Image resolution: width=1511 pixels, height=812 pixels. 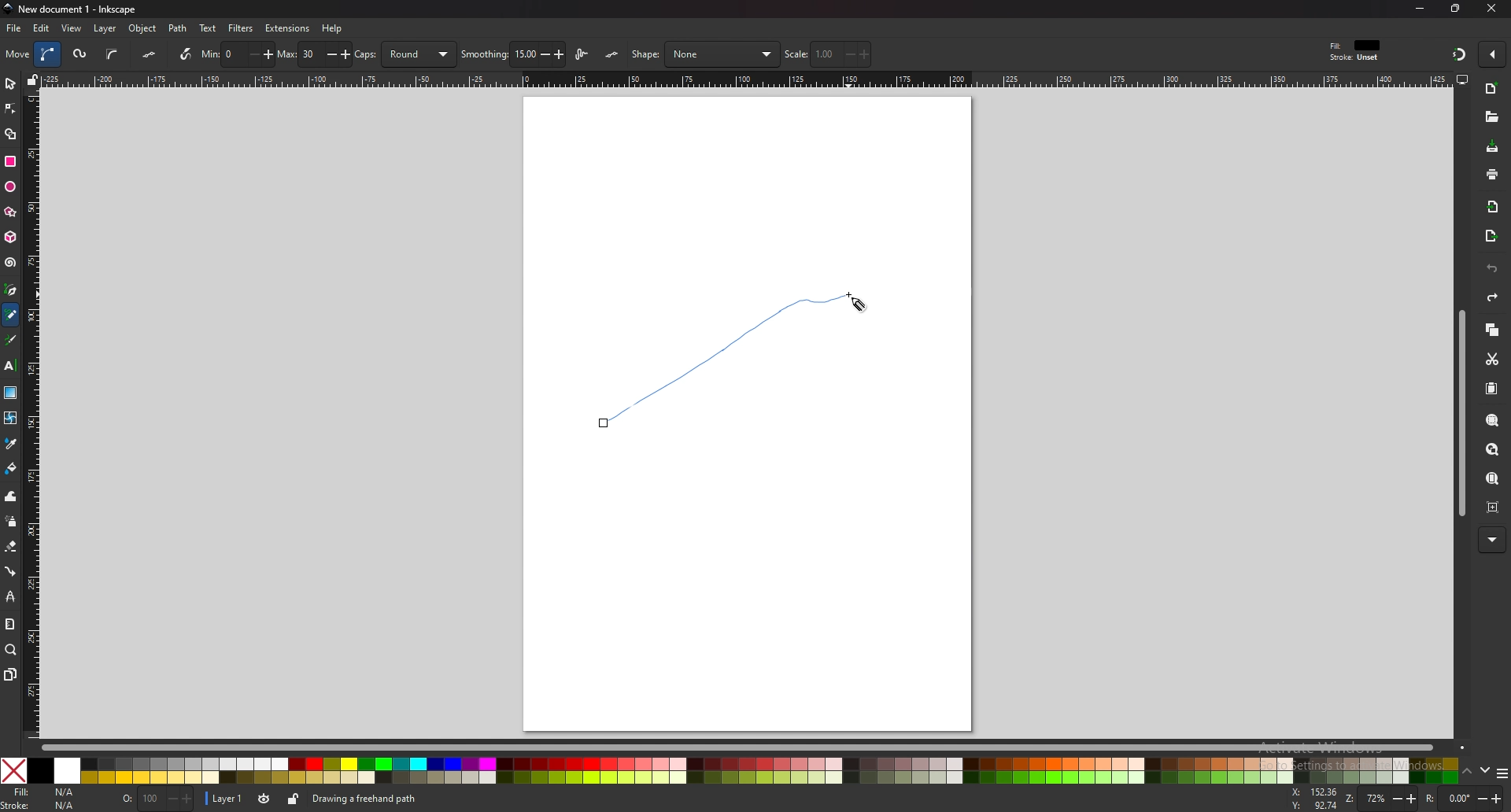 I want to click on calligraphy, so click(x=9, y=340).